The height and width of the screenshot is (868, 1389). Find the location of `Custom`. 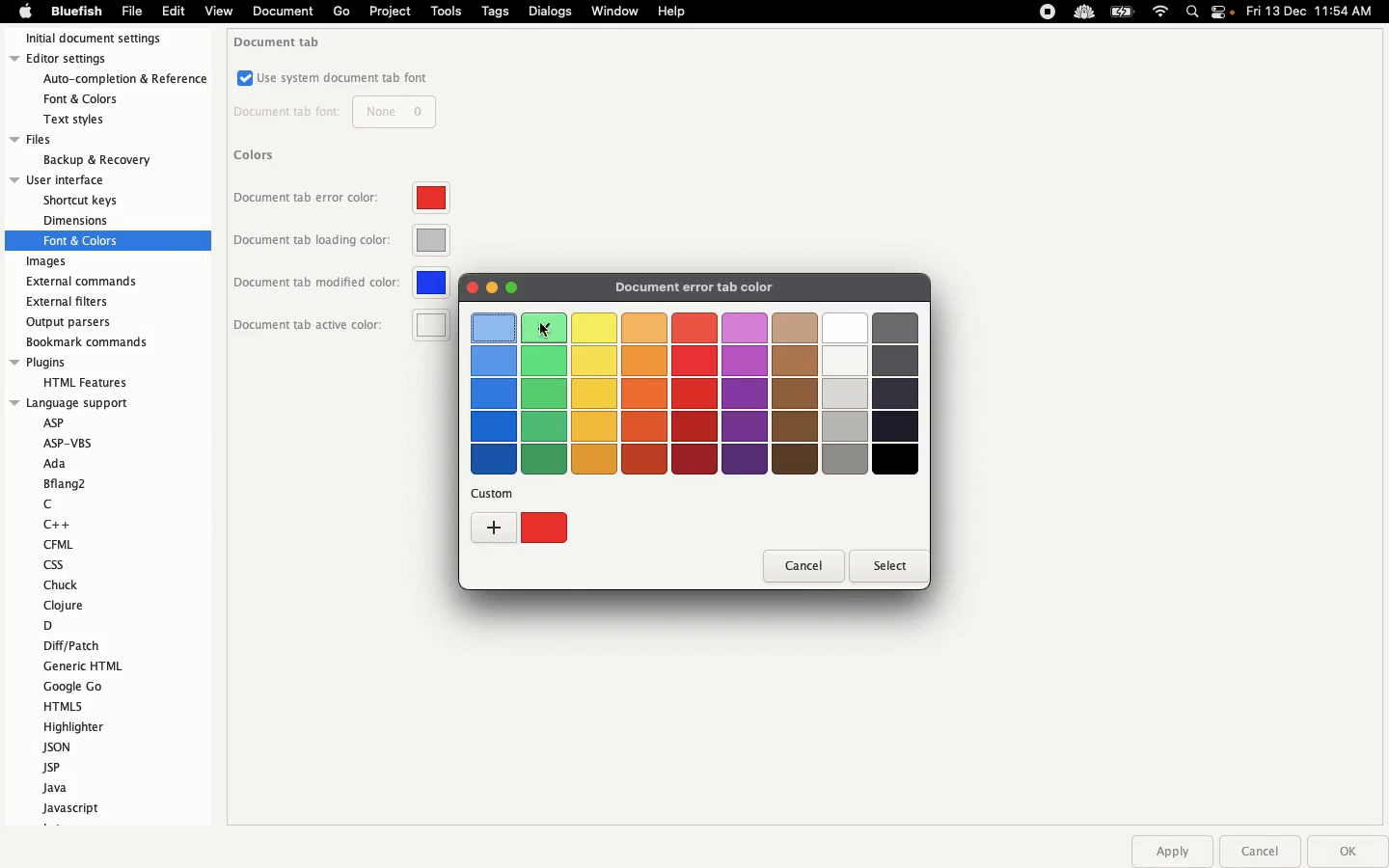

Custom is located at coordinates (522, 528).